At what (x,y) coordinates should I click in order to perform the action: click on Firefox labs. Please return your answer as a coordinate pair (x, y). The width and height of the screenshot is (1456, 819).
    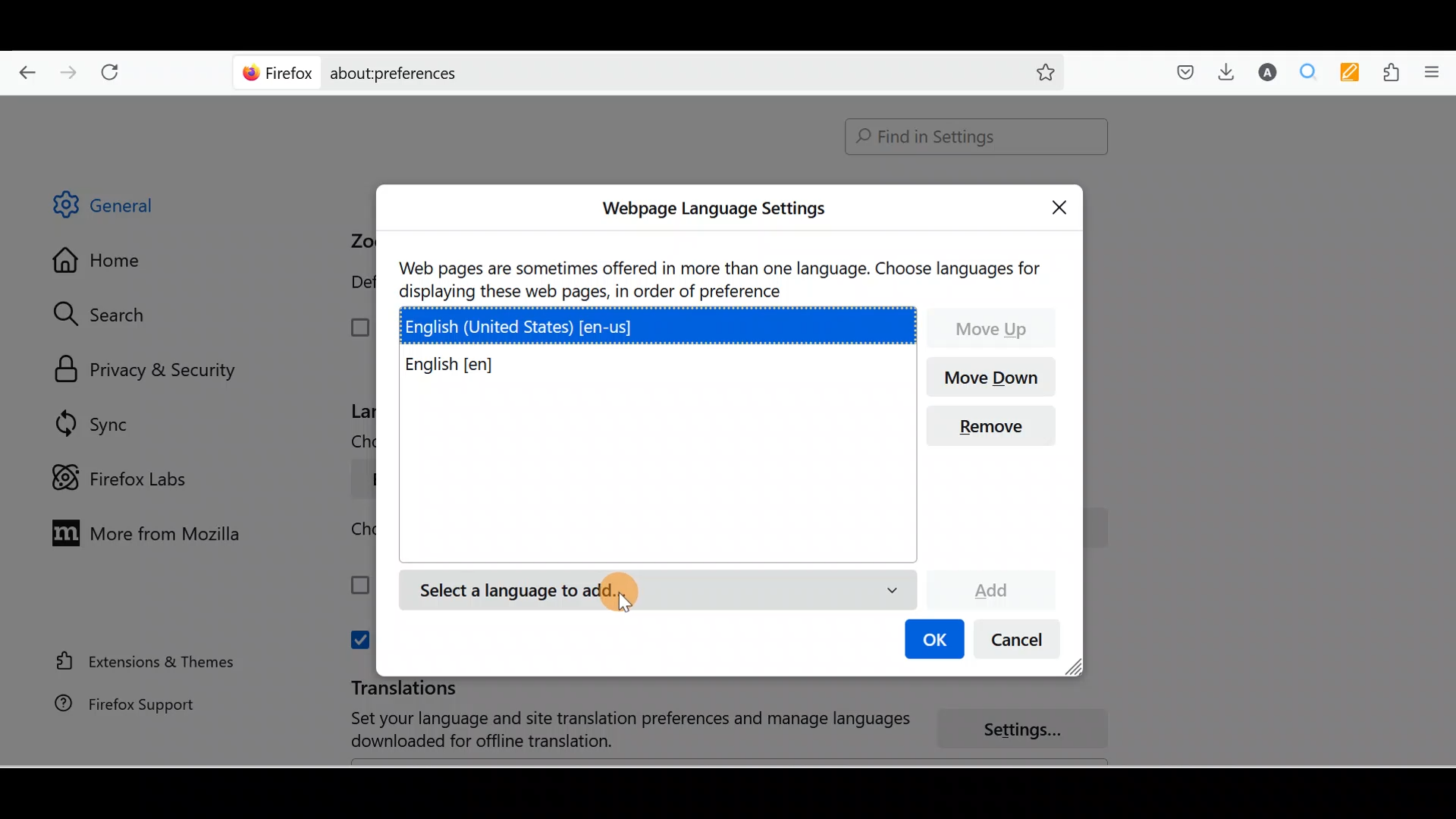
    Looking at the image, I should click on (124, 479).